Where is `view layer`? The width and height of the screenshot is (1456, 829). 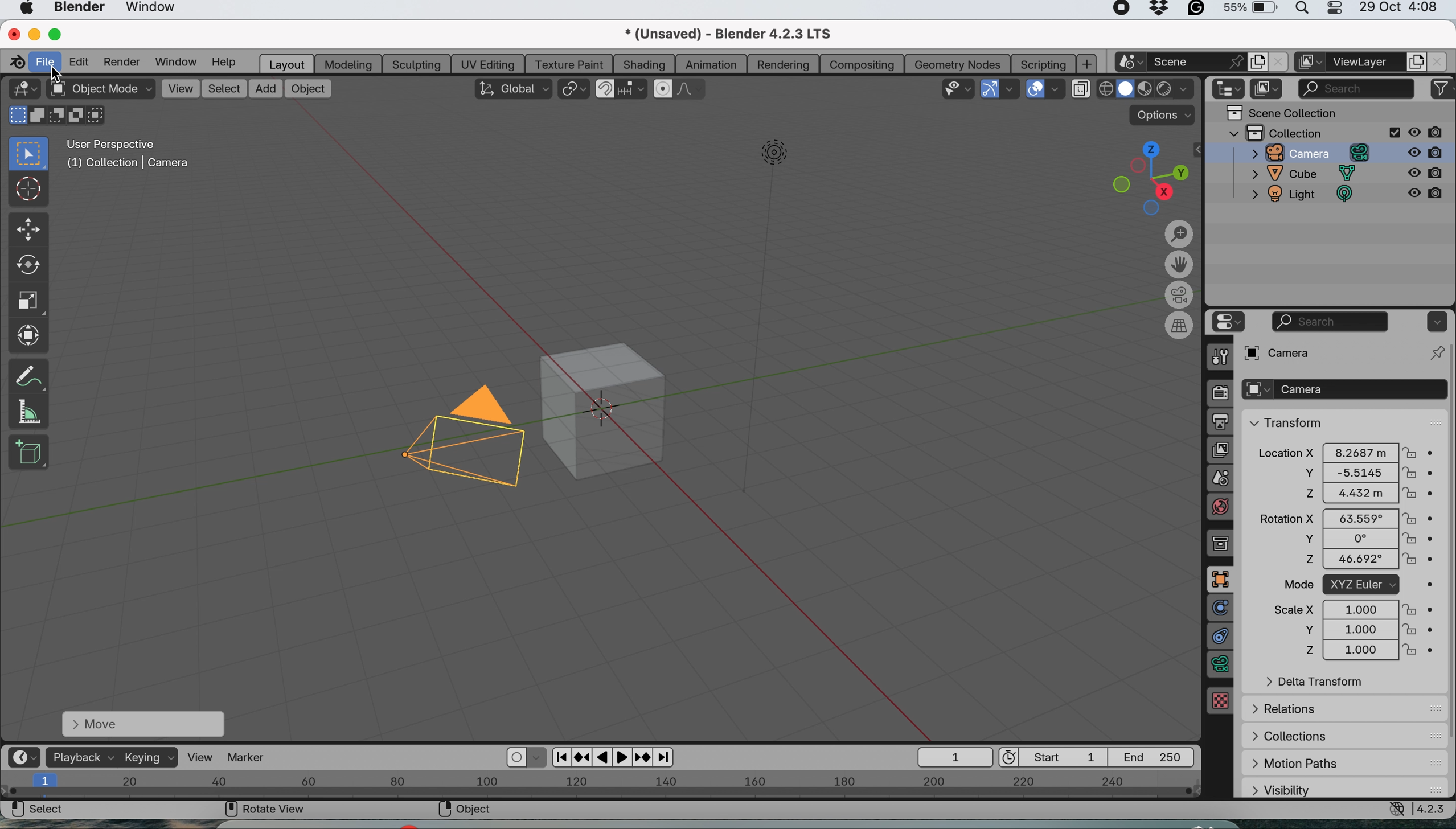 view layer is located at coordinates (1221, 449).